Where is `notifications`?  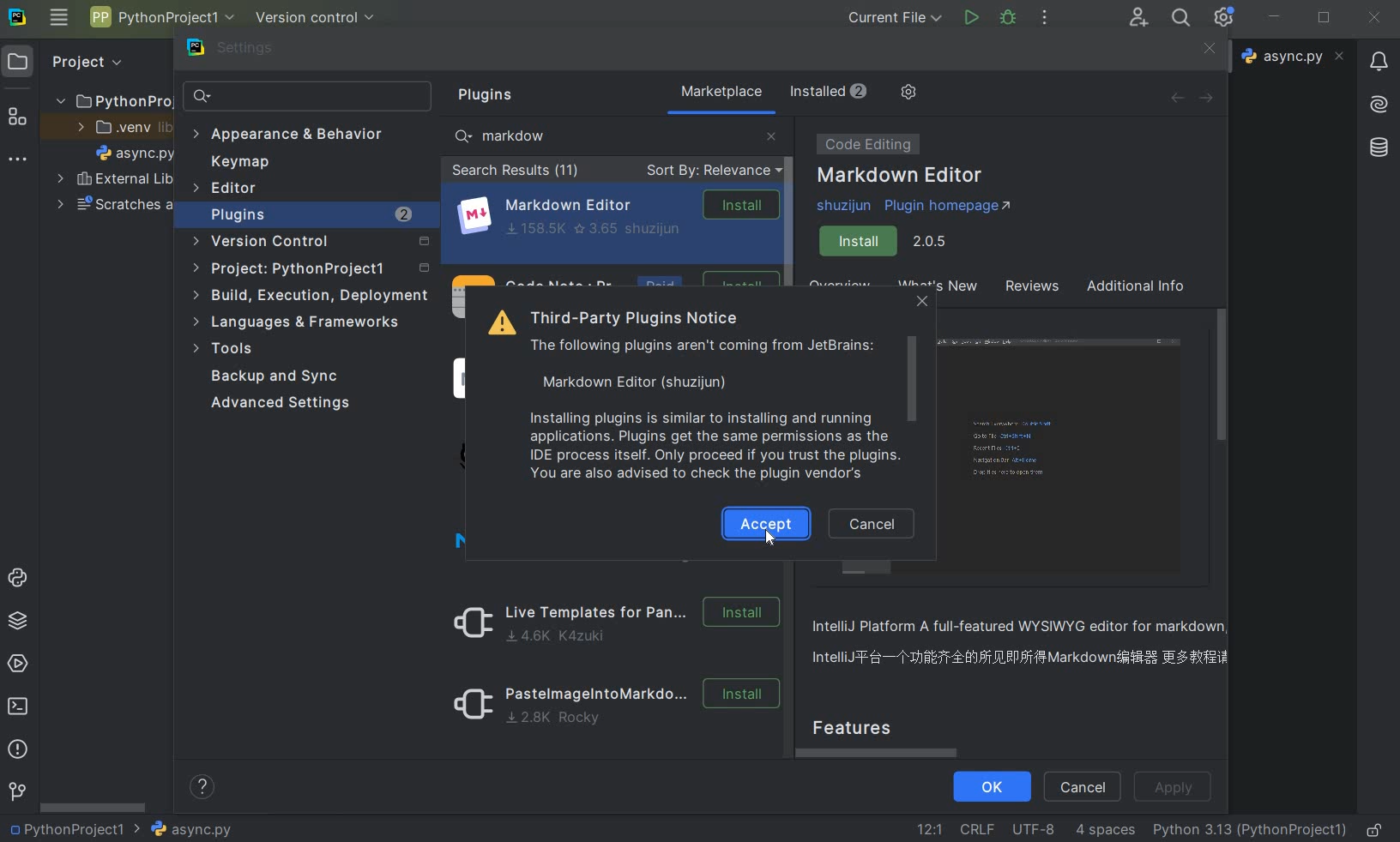 notifications is located at coordinates (1380, 63).